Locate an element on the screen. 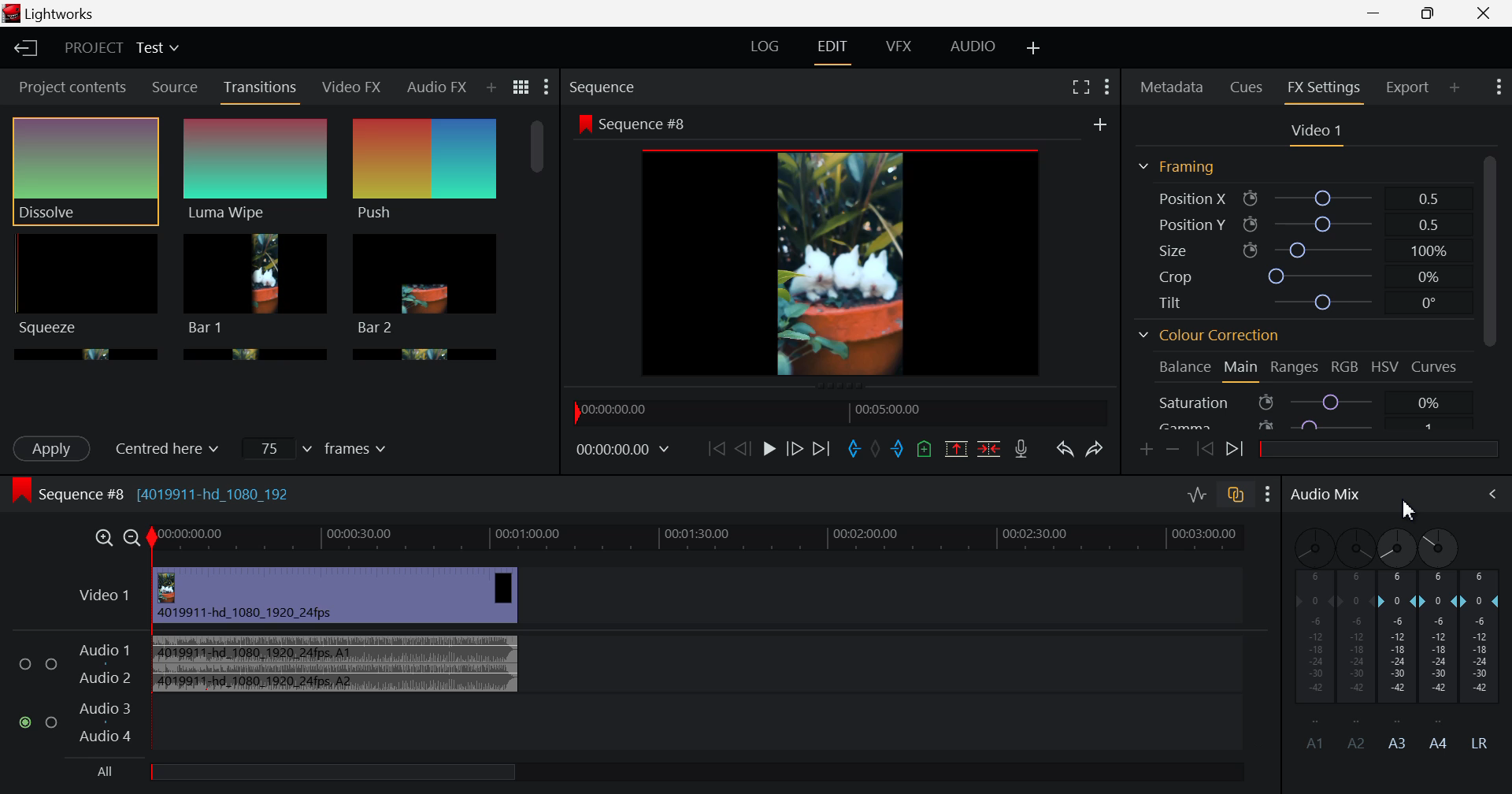  LOG Layout is located at coordinates (766, 46).